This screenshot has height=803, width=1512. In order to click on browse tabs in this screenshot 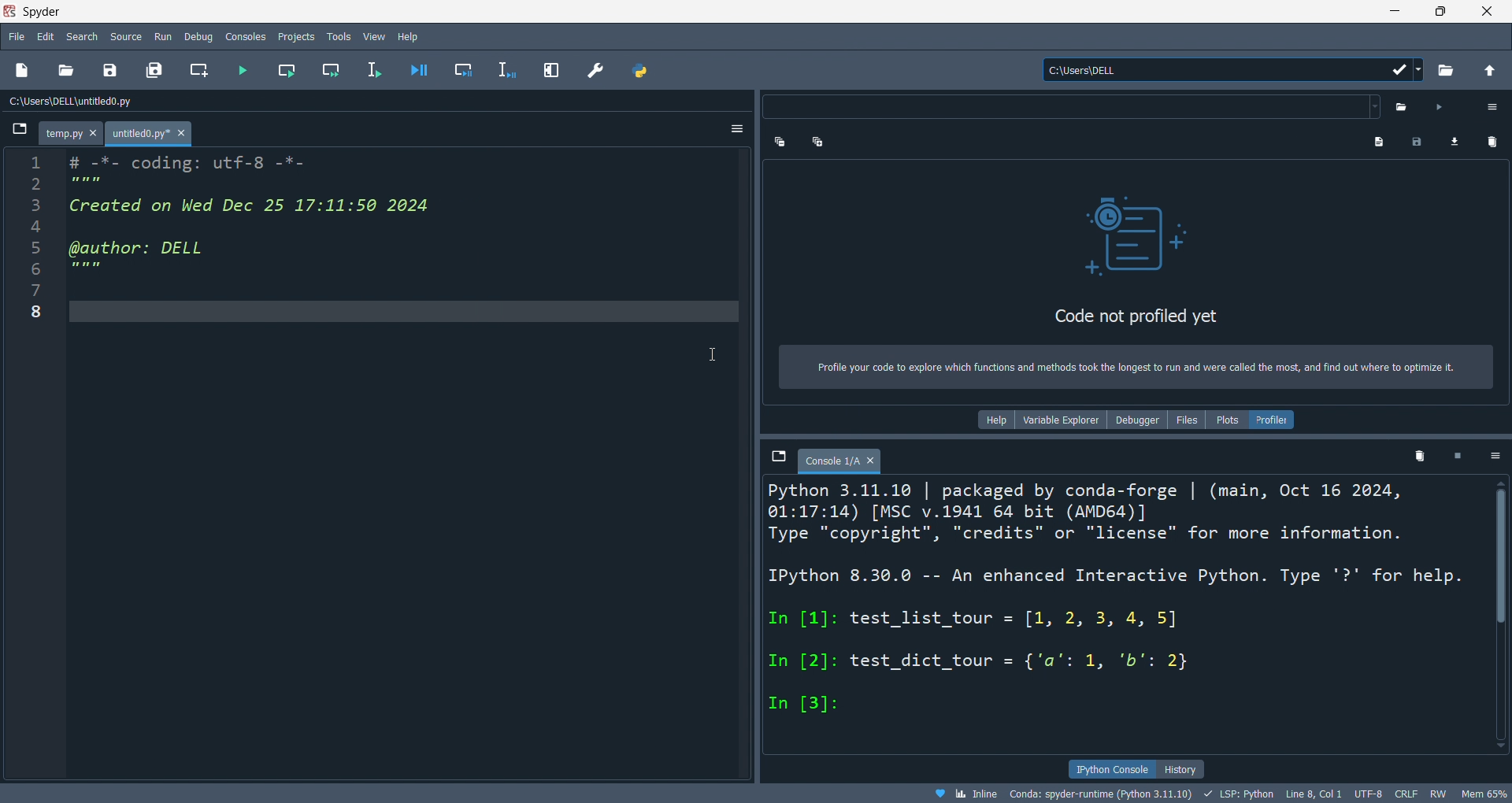, I will do `click(20, 132)`.